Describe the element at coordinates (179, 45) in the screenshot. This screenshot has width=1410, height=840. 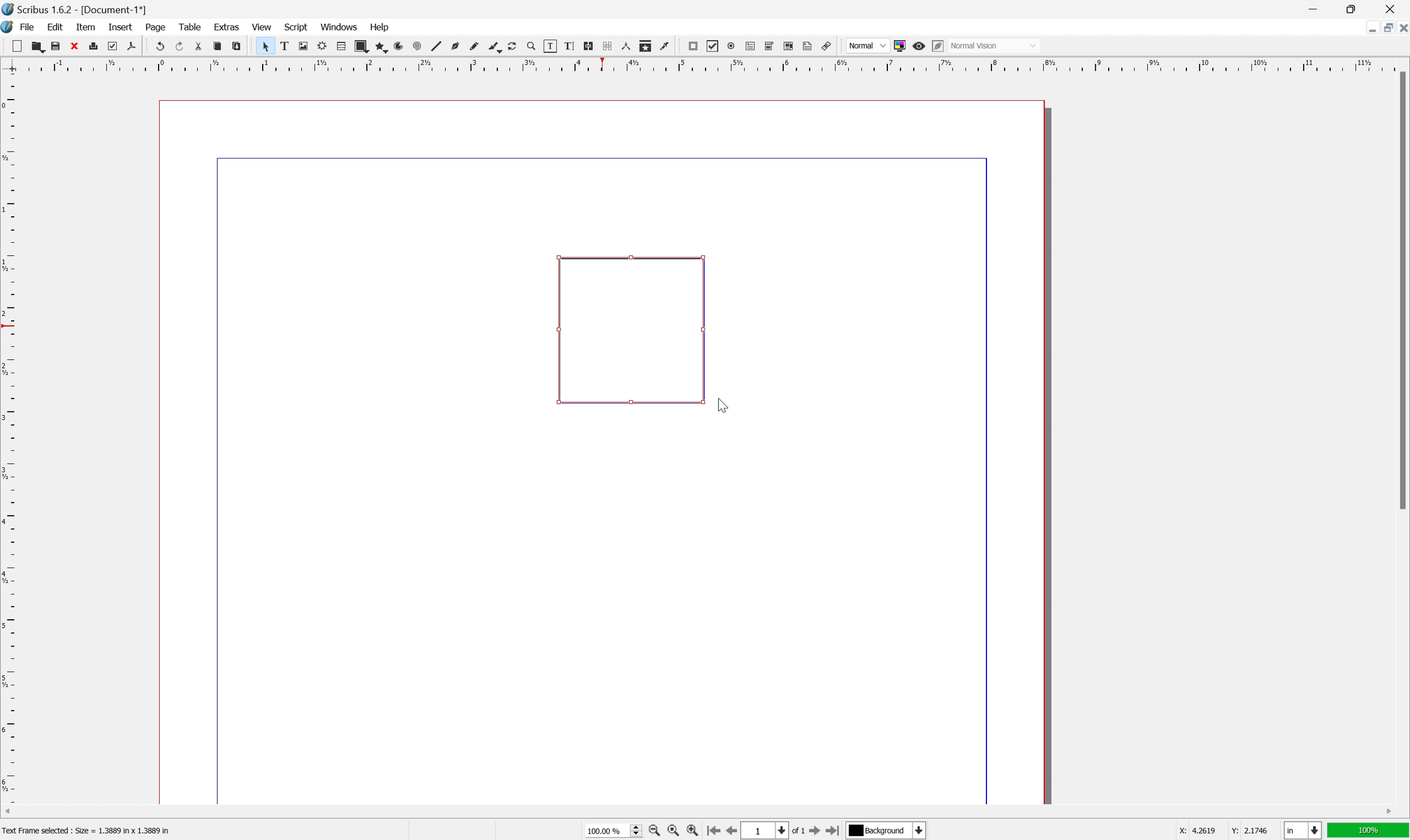
I see `redo` at that location.